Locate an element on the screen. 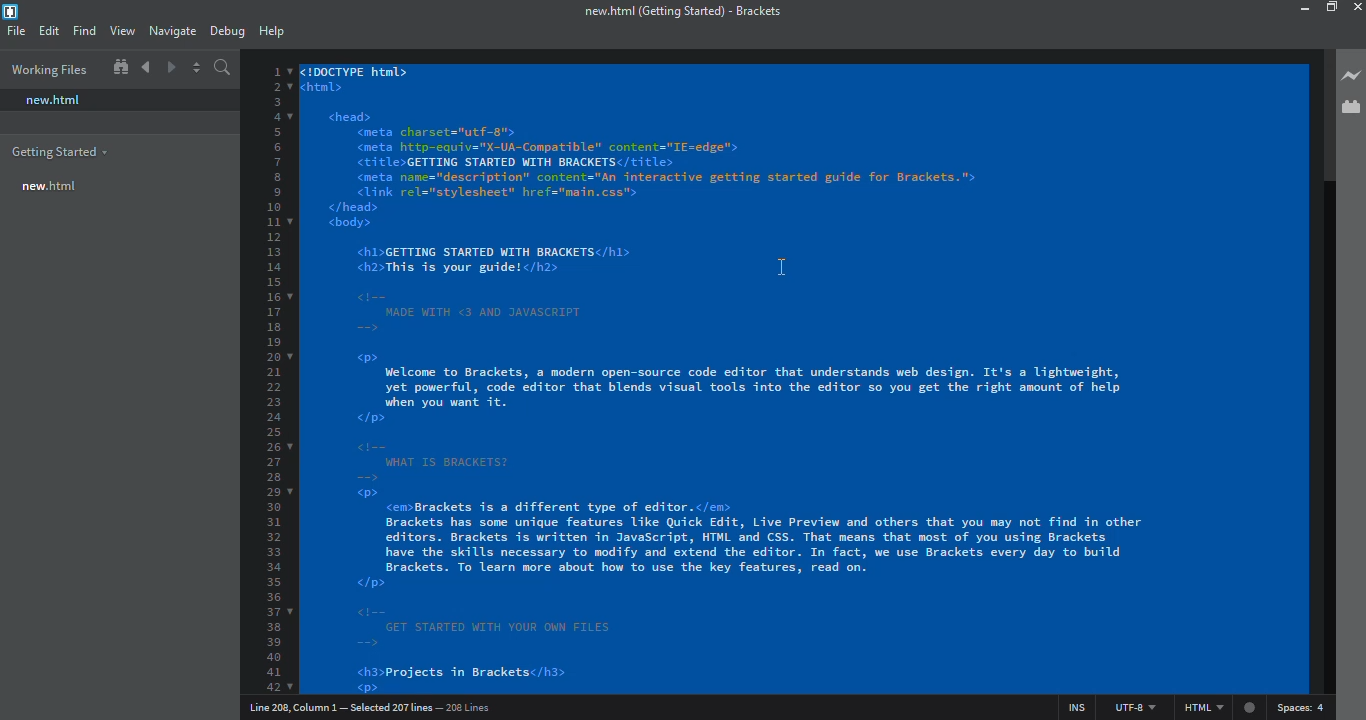  ins is located at coordinates (1074, 704).